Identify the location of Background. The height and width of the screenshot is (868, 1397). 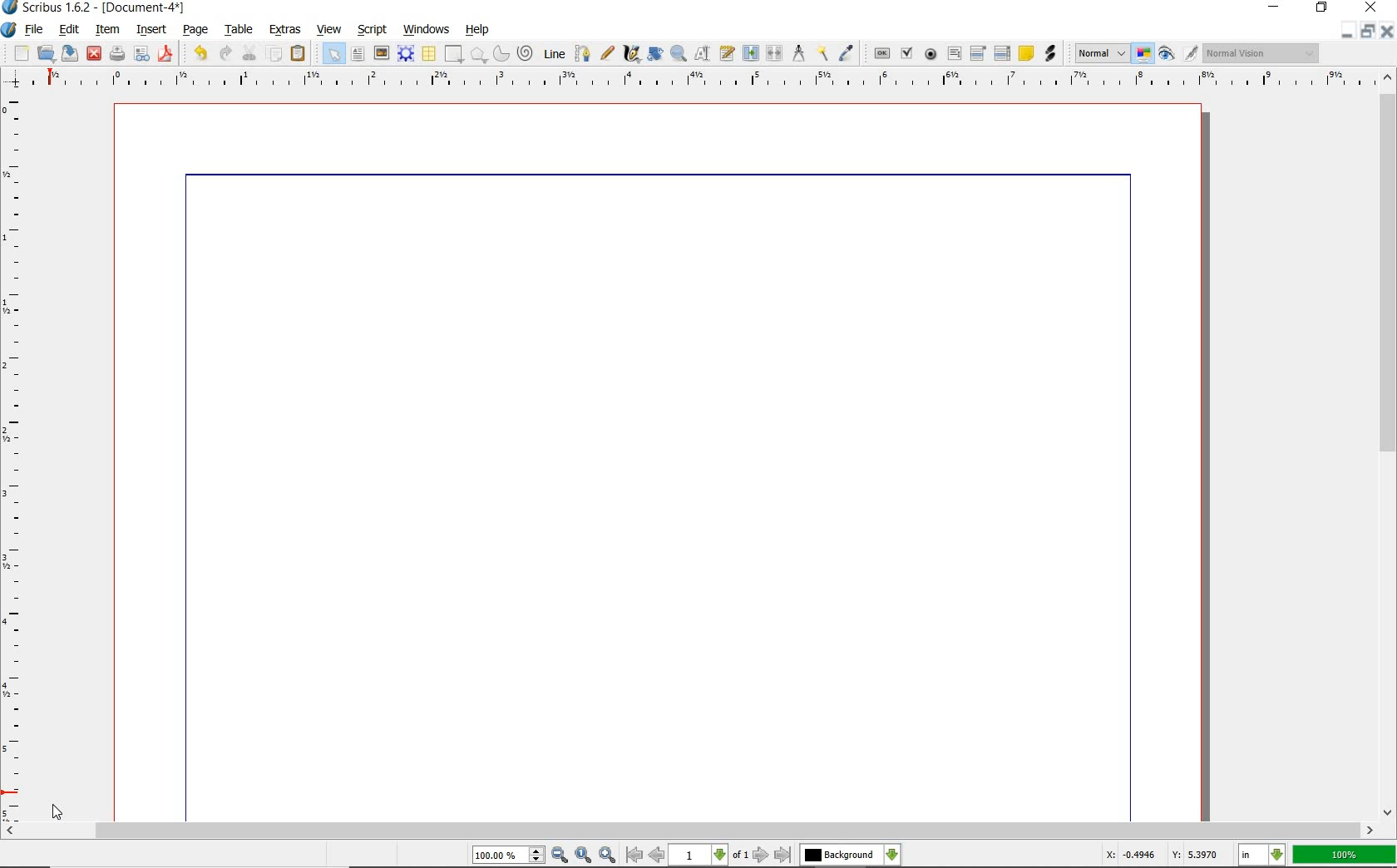
(851, 856).